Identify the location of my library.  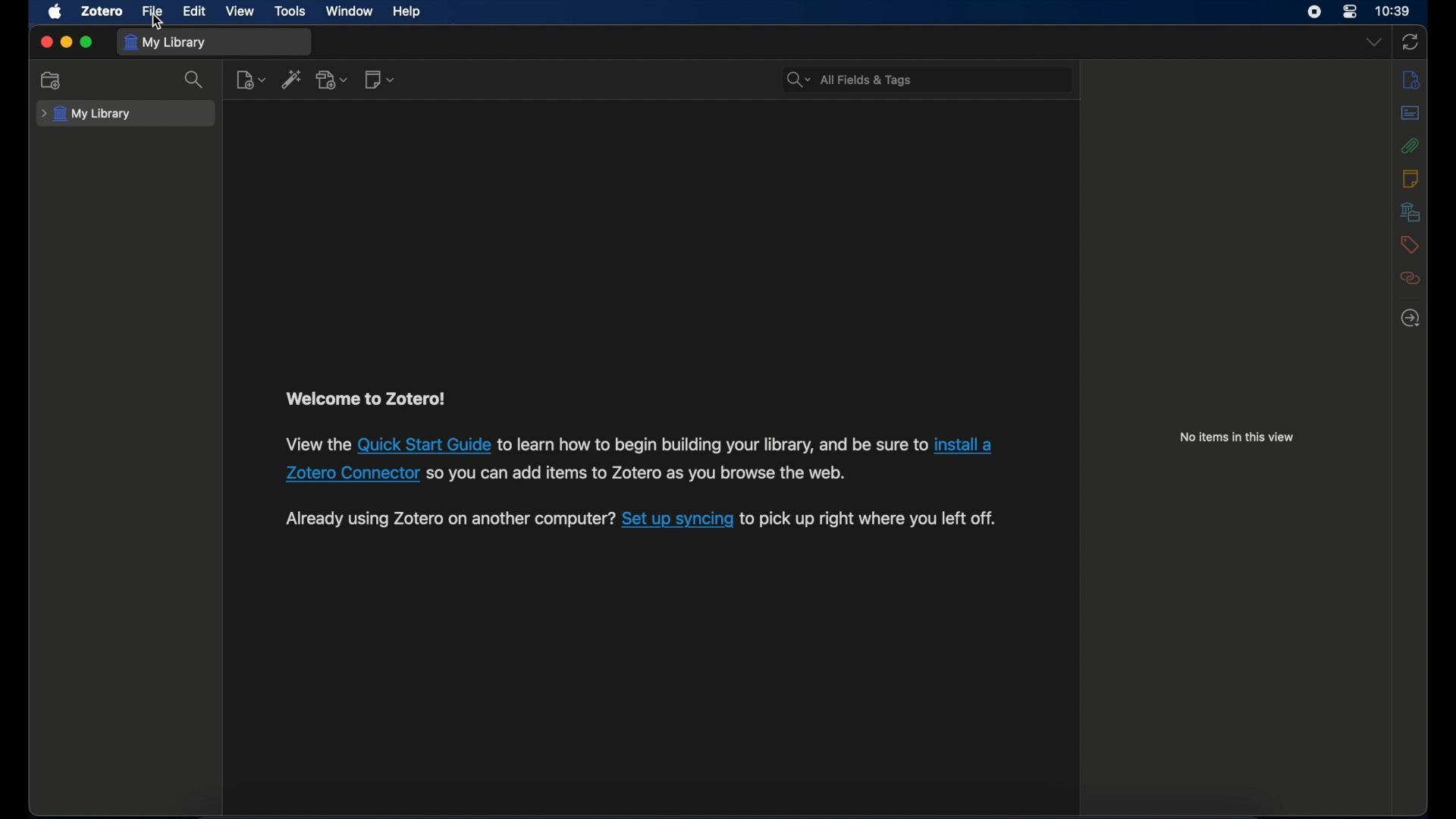
(86, 114).